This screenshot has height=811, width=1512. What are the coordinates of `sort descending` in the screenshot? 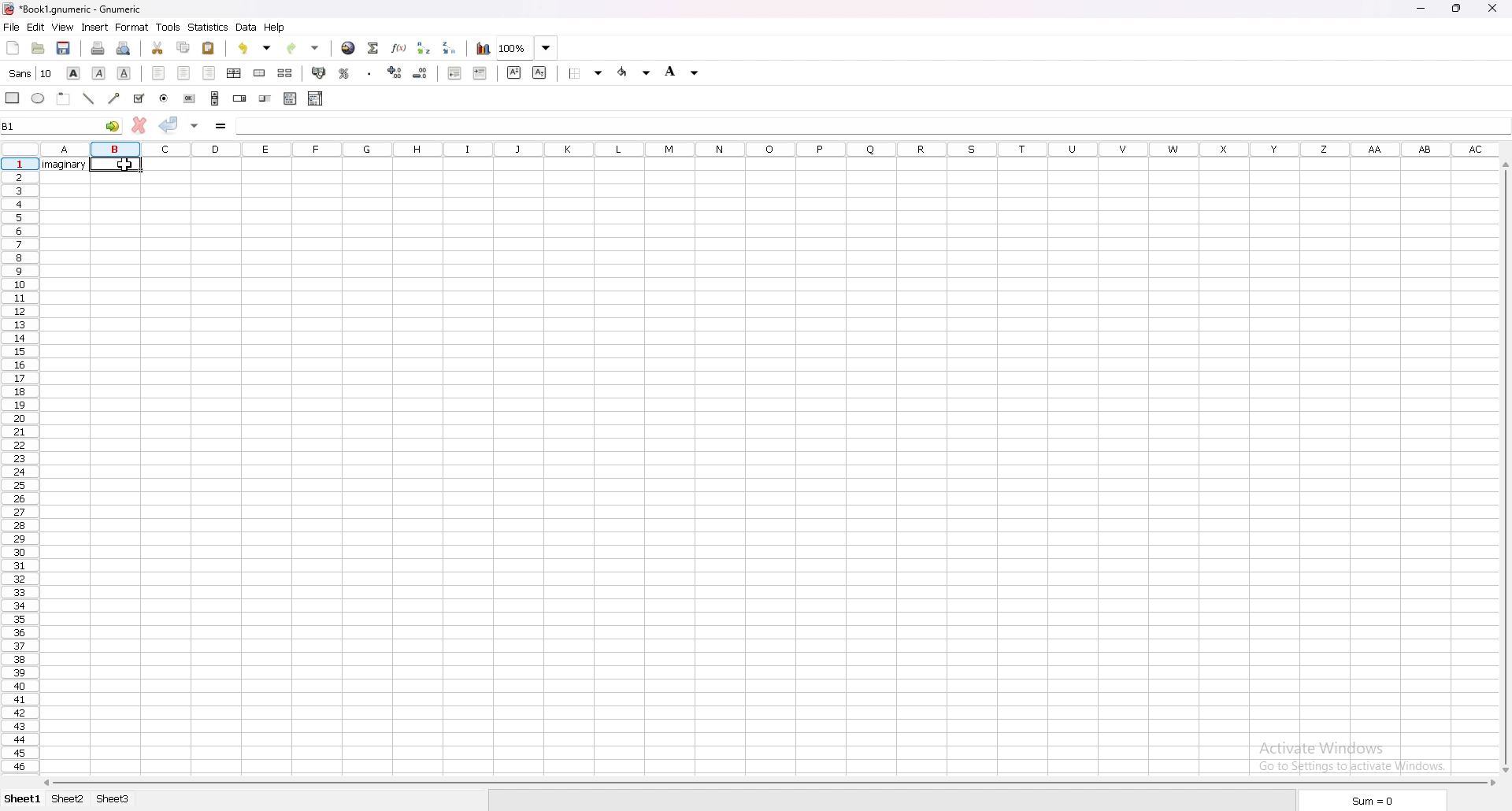 It's located at (450, 48).